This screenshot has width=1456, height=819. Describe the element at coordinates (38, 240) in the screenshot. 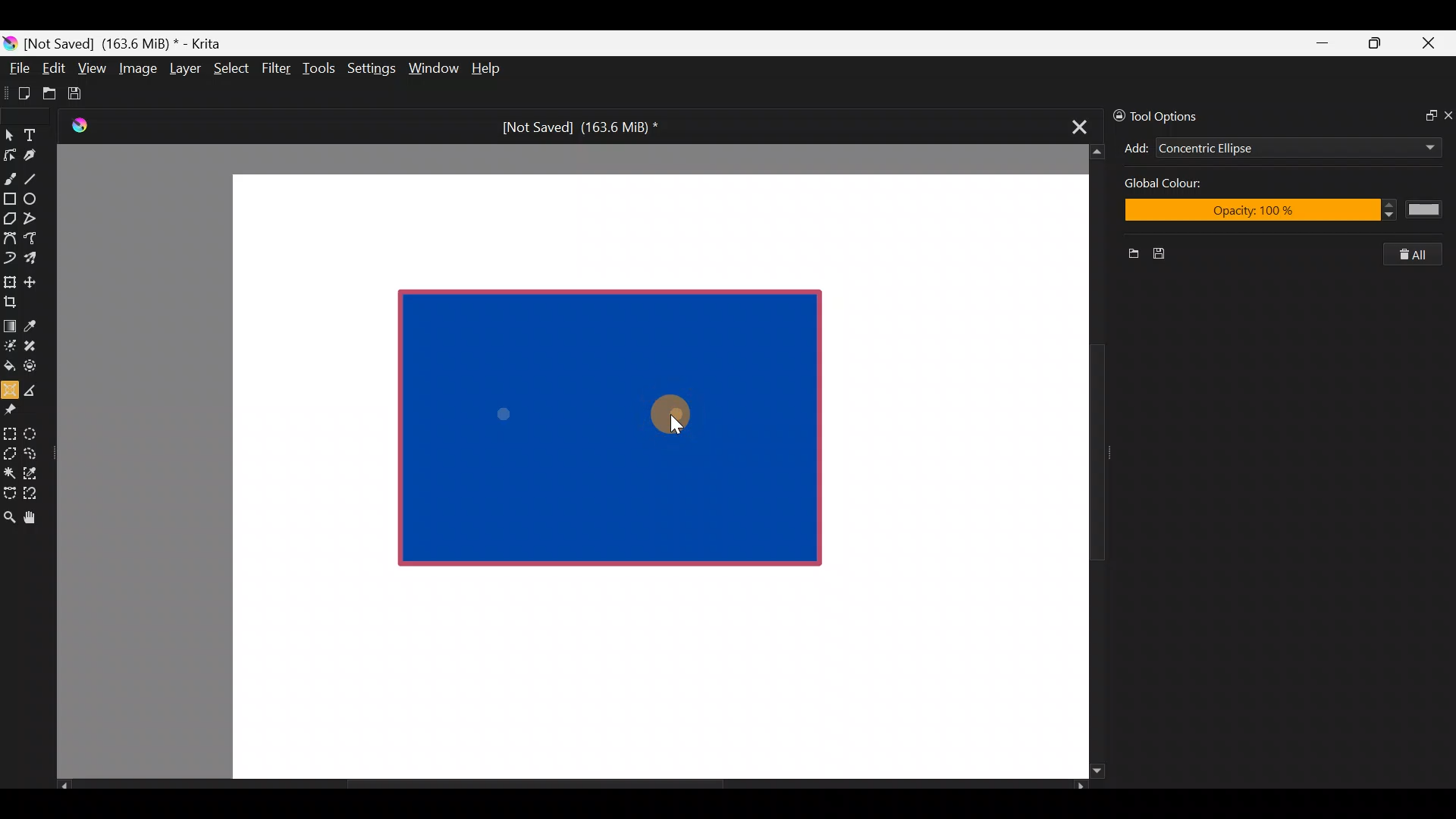

I see `Freehand path tool` at that location.